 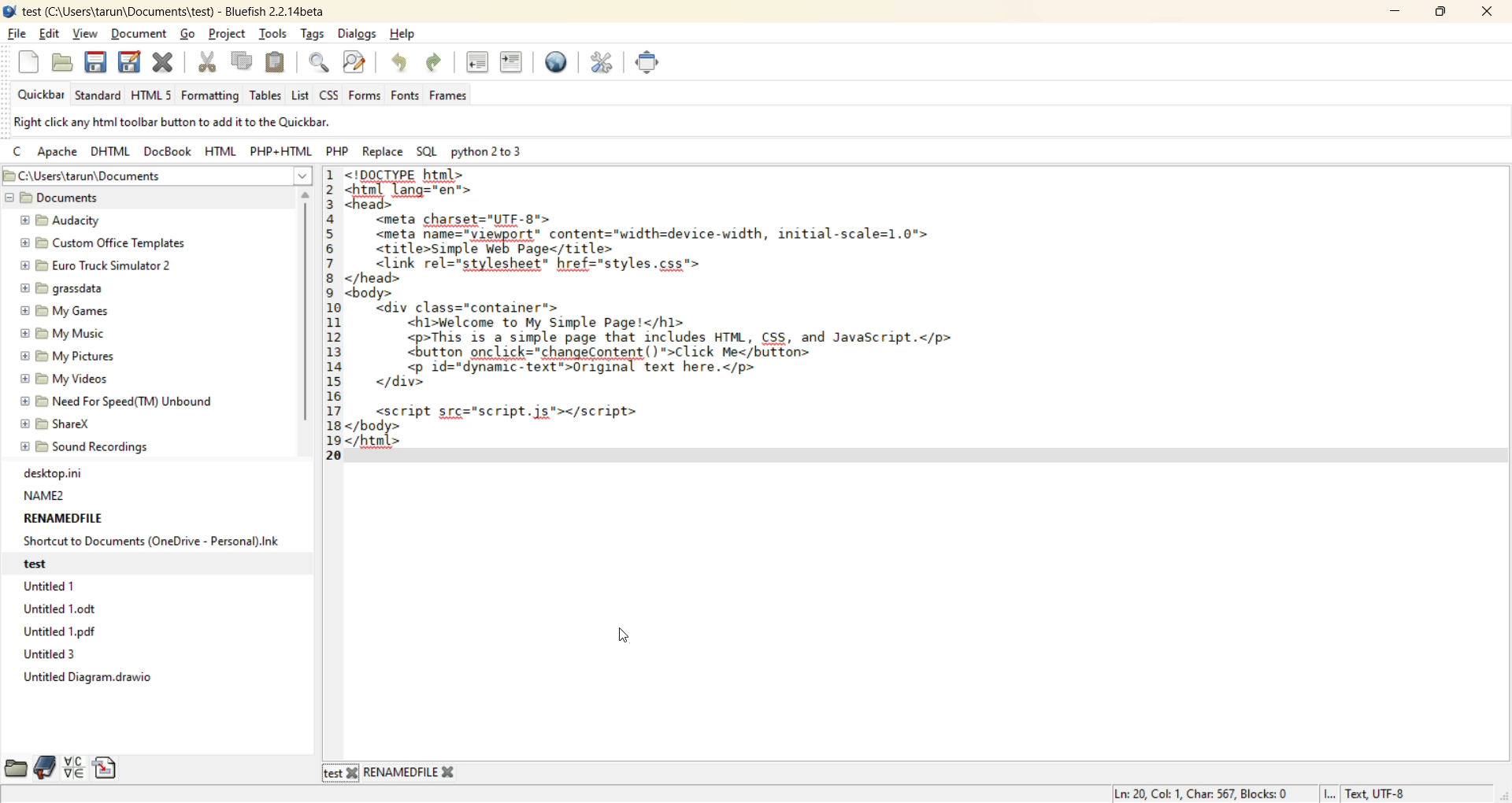 What do you see at coordinates (54, 655) in the screenshot?
I see `Untitled 3` at bounding box center [54, 655].